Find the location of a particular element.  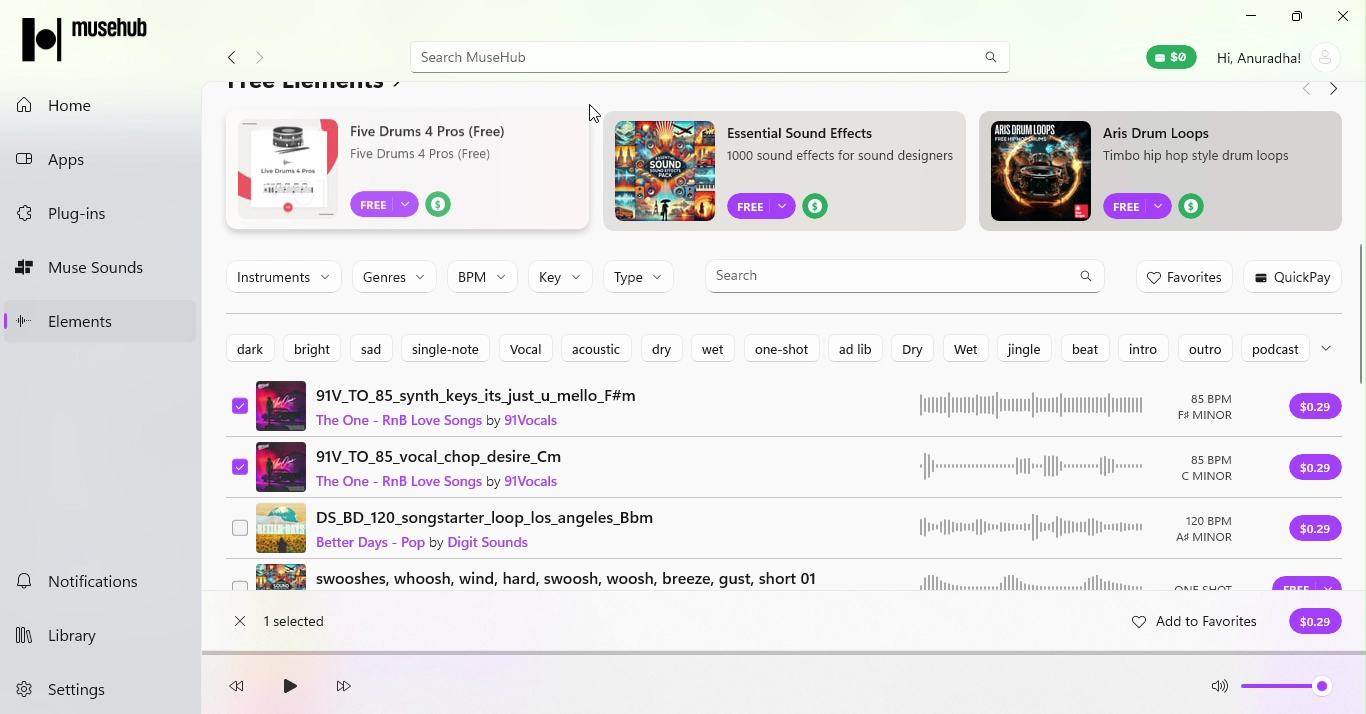

Account is located at coordinates (1277, 57).